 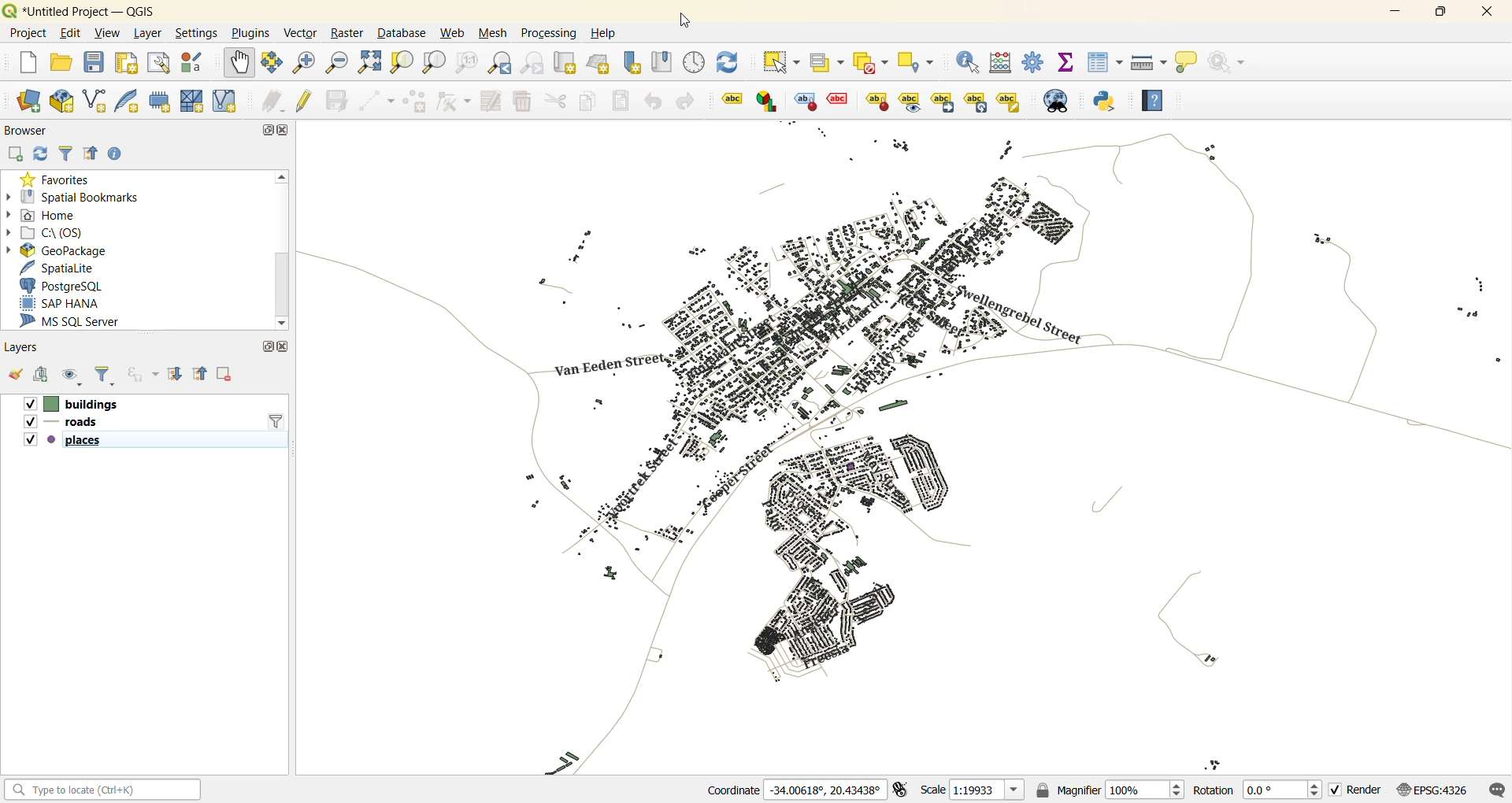 I want to click on layers, so click(x=20, y=348).